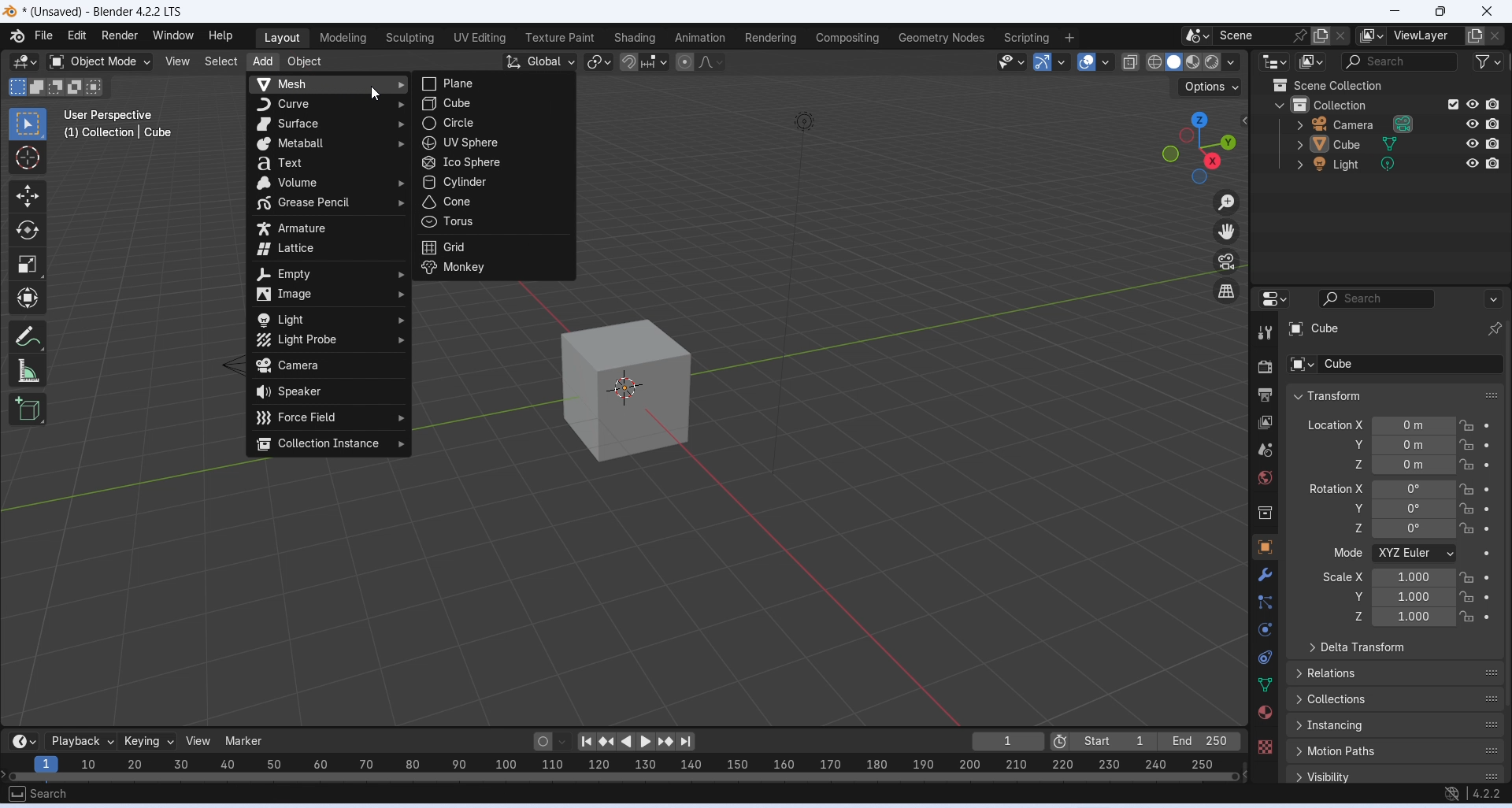 The height and width of the screenshot is (808, 1512). What do you see at coordinates (600, 63) in the screenshot?
I see `transform pivot point` at bounding box center [600, 63].